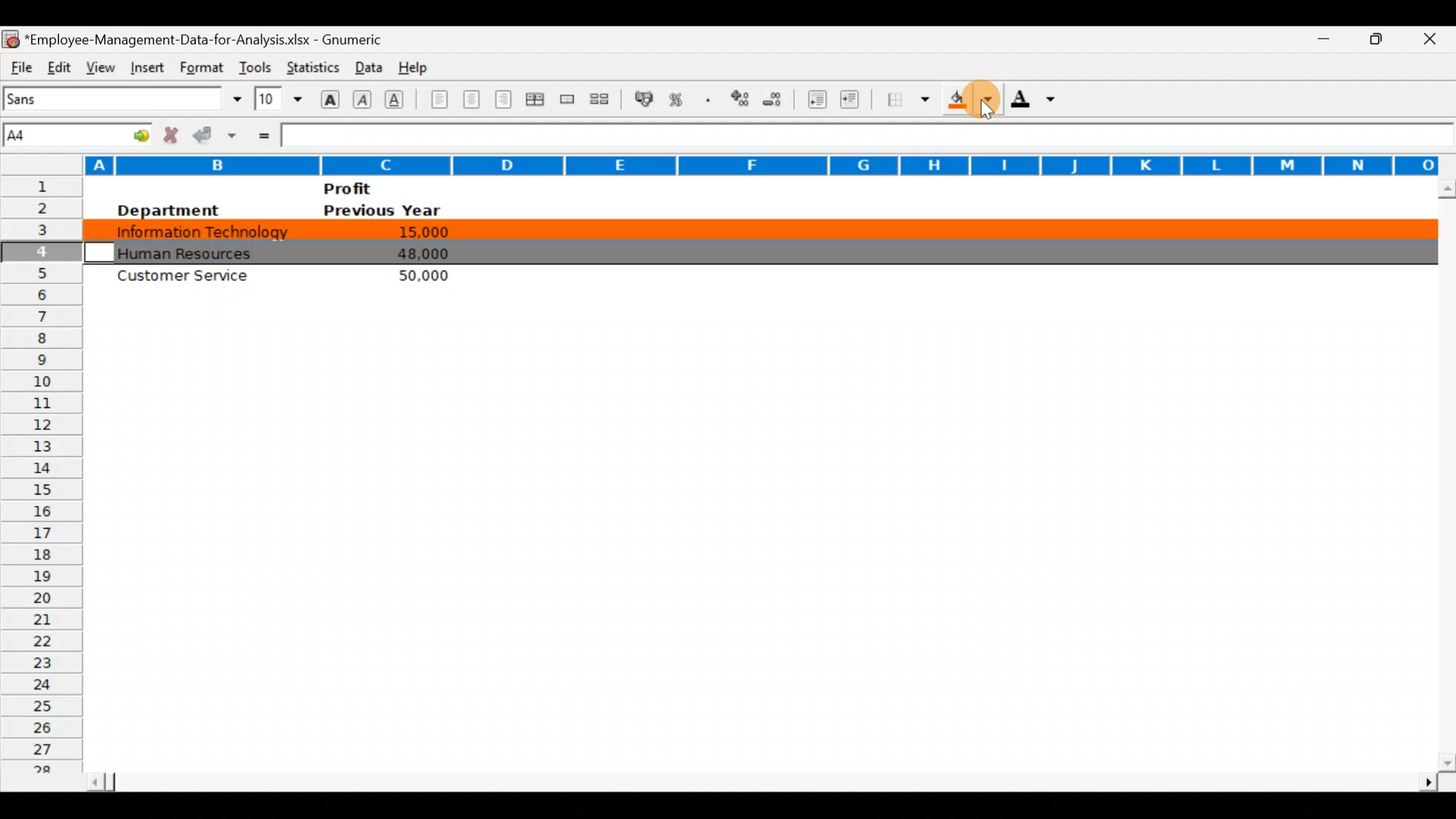  I want to click on Split merged range of cells, so click(600, 99).